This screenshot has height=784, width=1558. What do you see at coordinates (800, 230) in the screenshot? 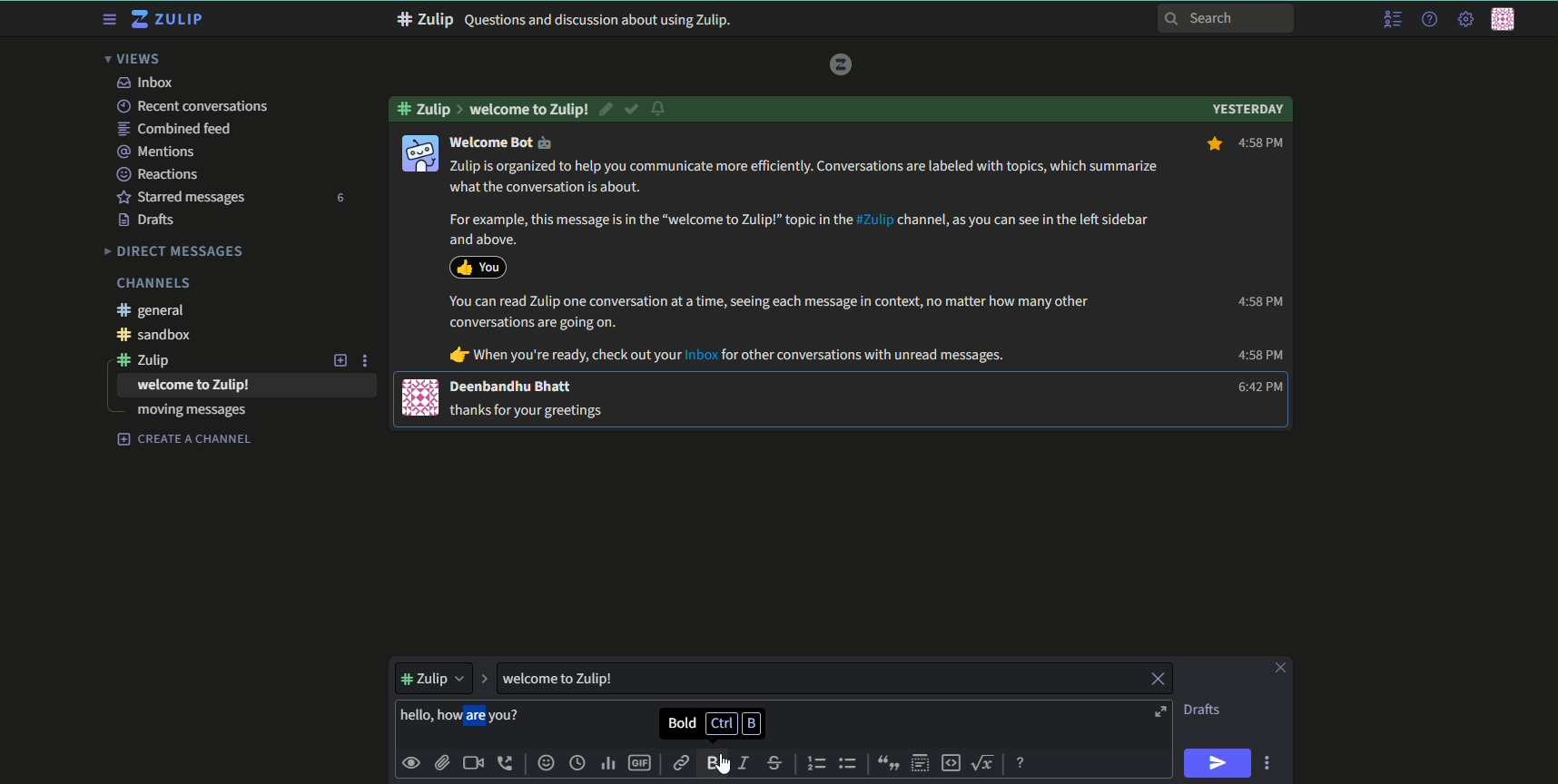
I see `For example, this message is in the “welcome to Zulip!” topic in the #Zulip channel, as you can see in the left sidebar and above.` at bounding box center [800, 230].